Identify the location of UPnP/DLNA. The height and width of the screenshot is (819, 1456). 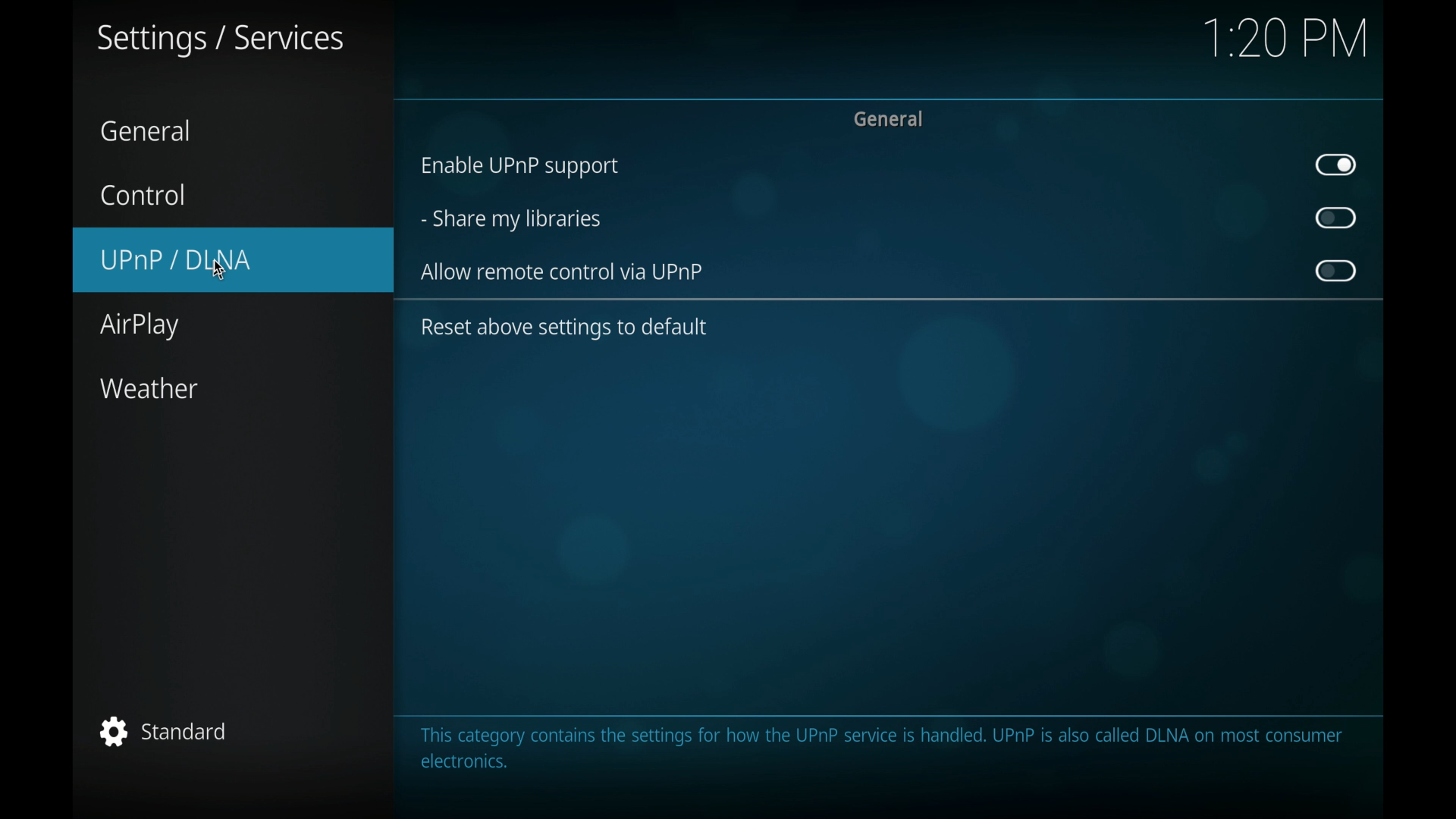
(233, 258).